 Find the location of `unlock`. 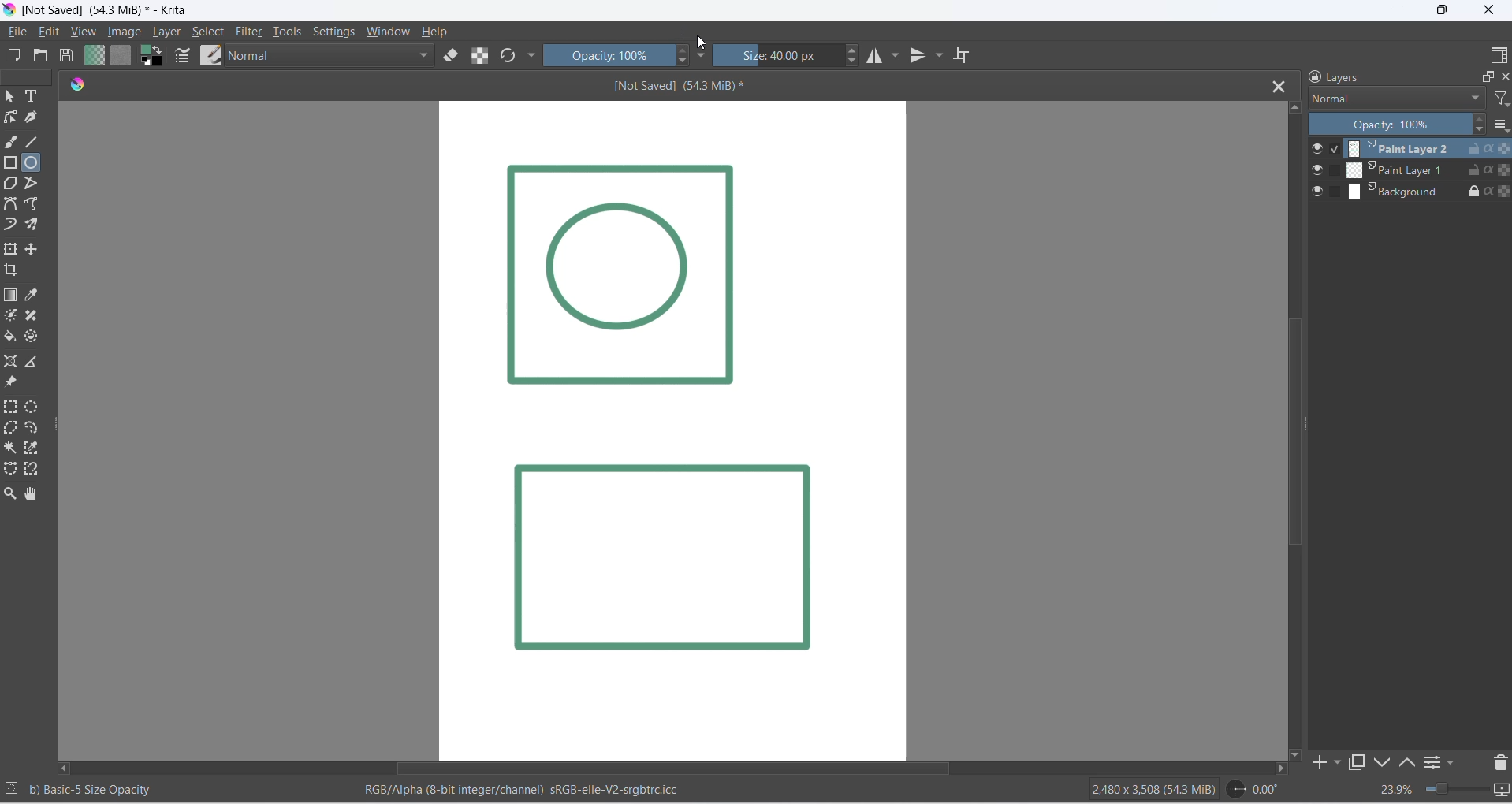

unlock is located at coordinates (1469, 148).